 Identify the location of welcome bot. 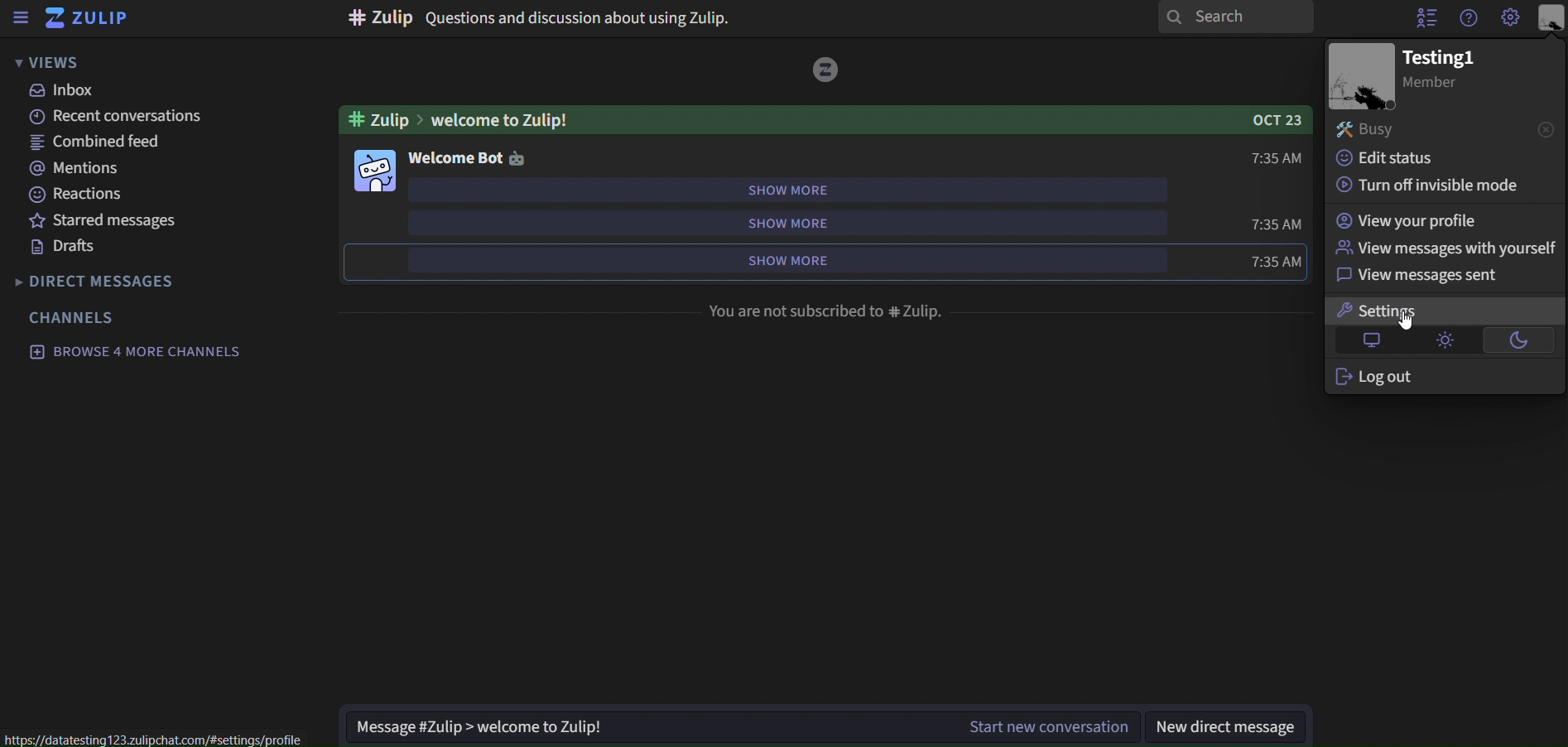
(455, 160).